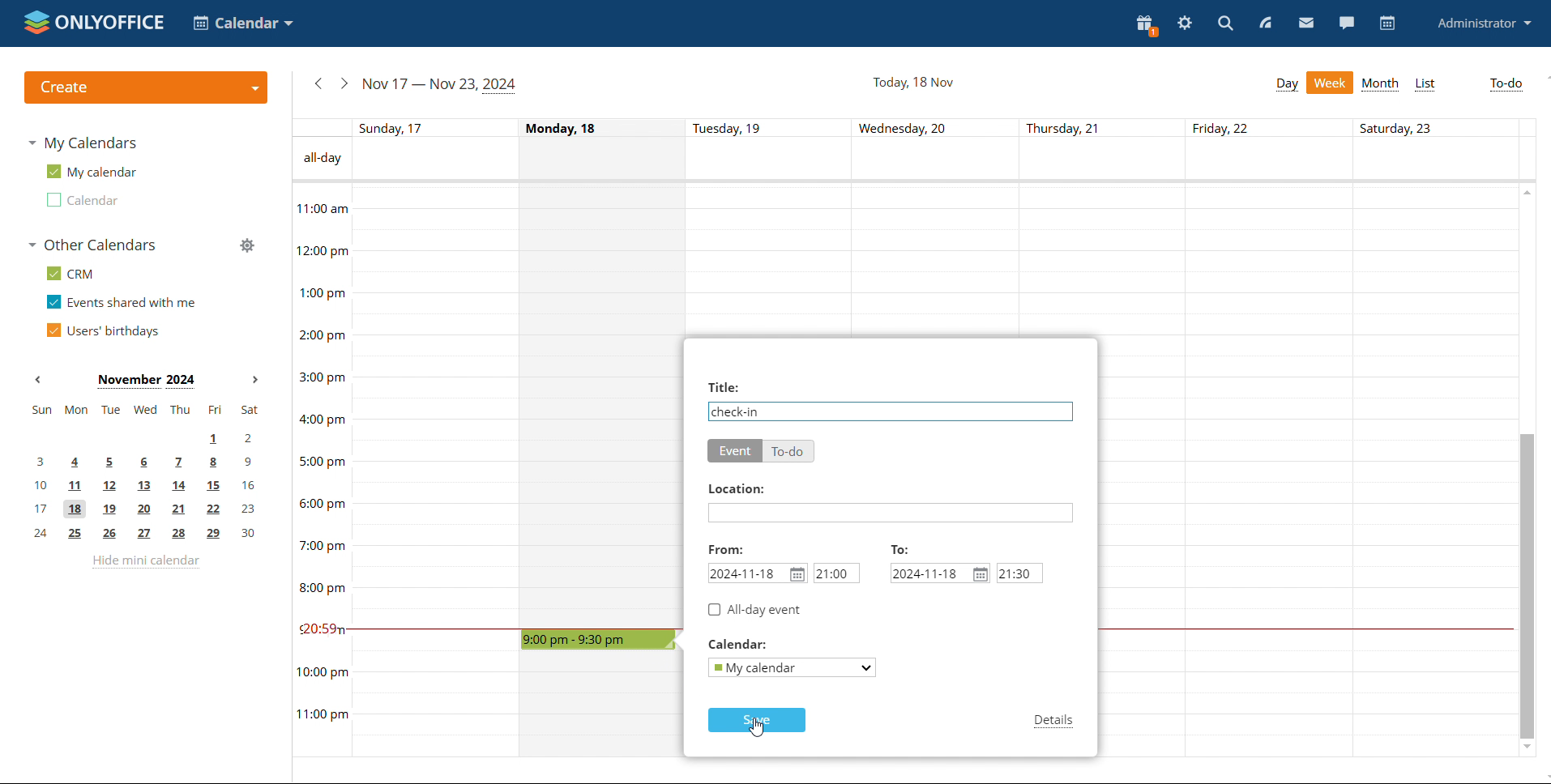 This screenshot has height=784, width=1551. Describe the element at coordinates (756, 727) in the screenshot. I see `cursor` at that location.